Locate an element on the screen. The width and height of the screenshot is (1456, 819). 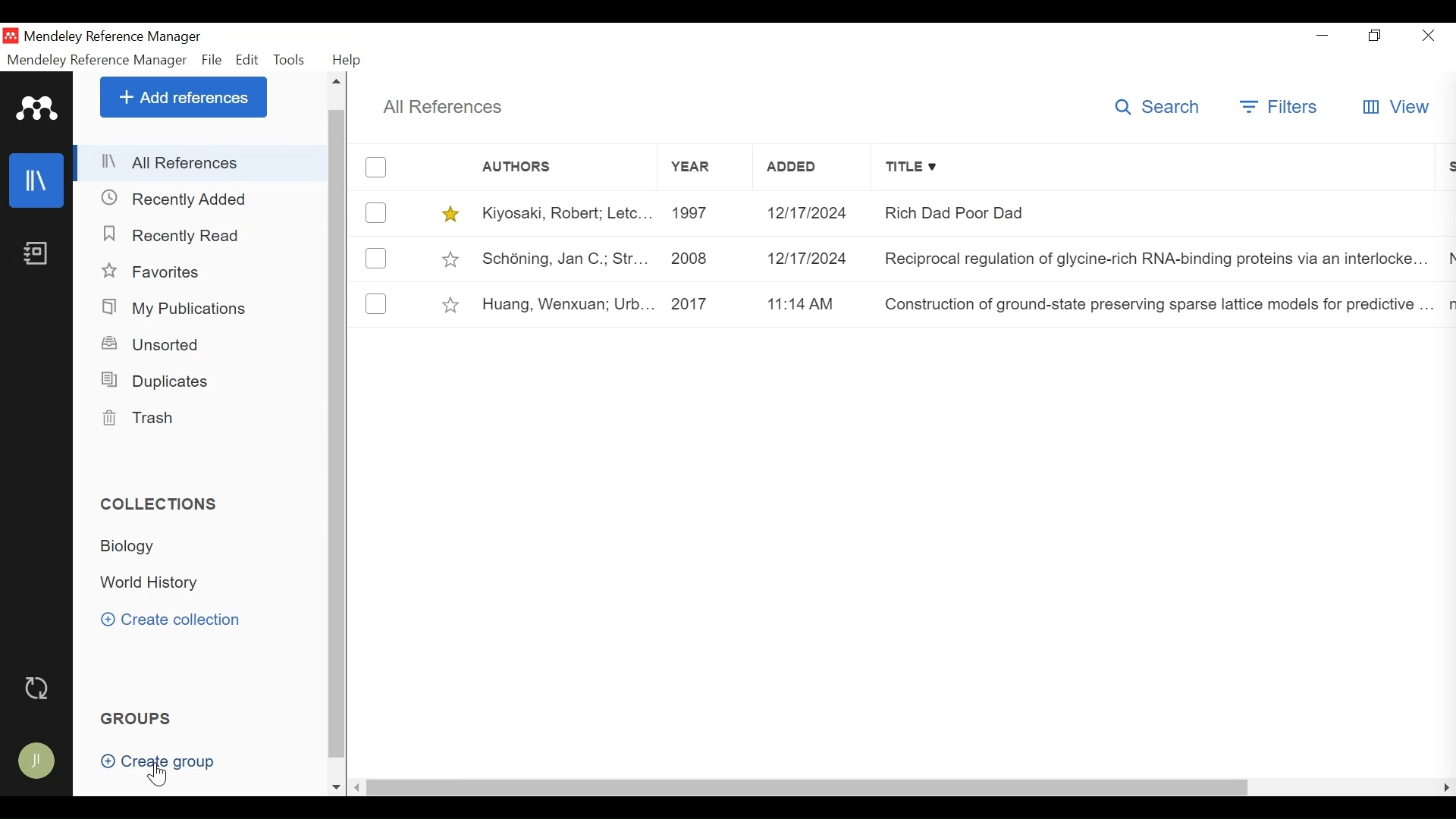
Search is located at coordinates (1154, 108).